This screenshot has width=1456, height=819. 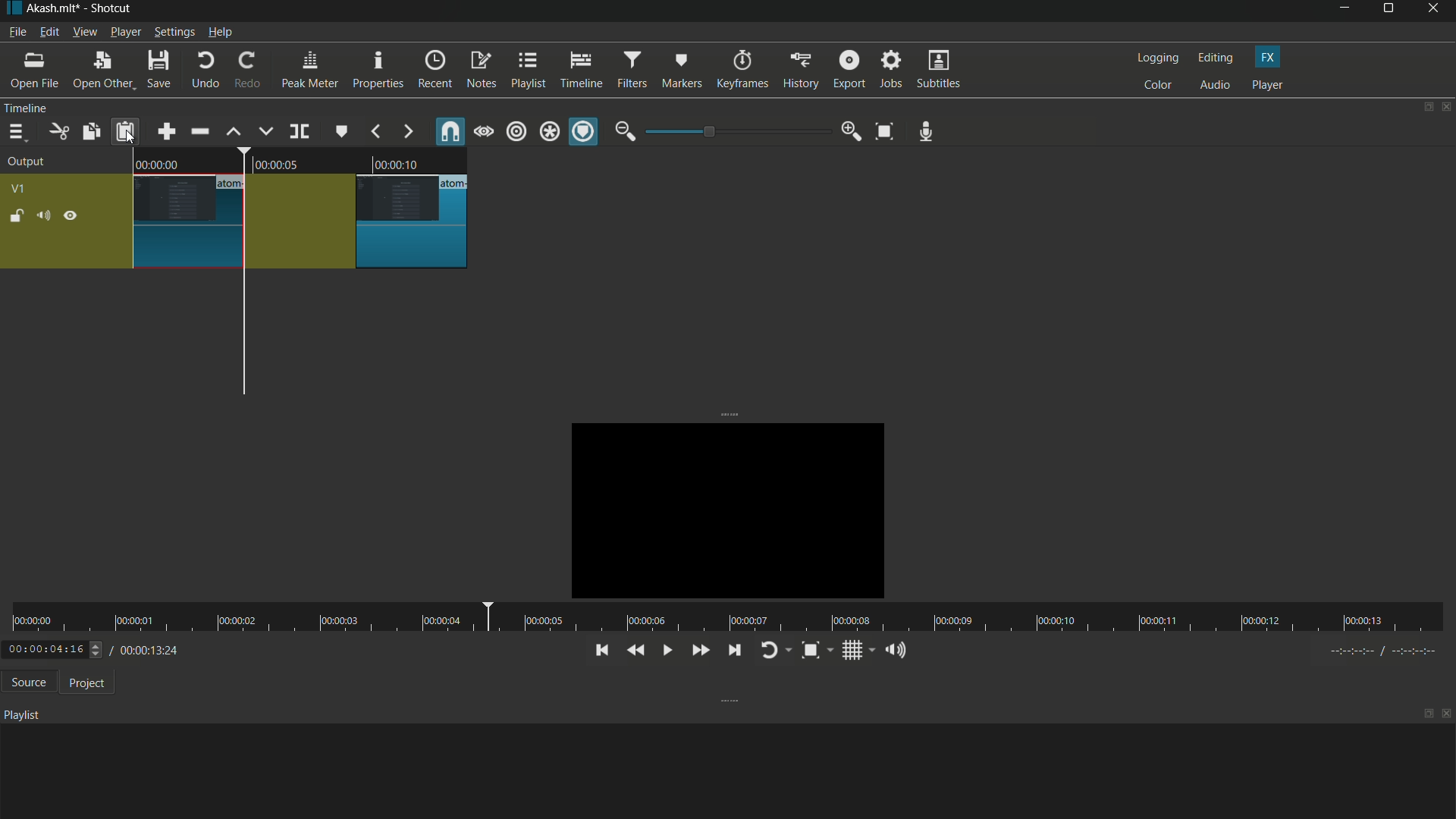 What do you see at coordinates (234, 132) in the screenshot?
I see `lift` at bounding box center [234, 132].